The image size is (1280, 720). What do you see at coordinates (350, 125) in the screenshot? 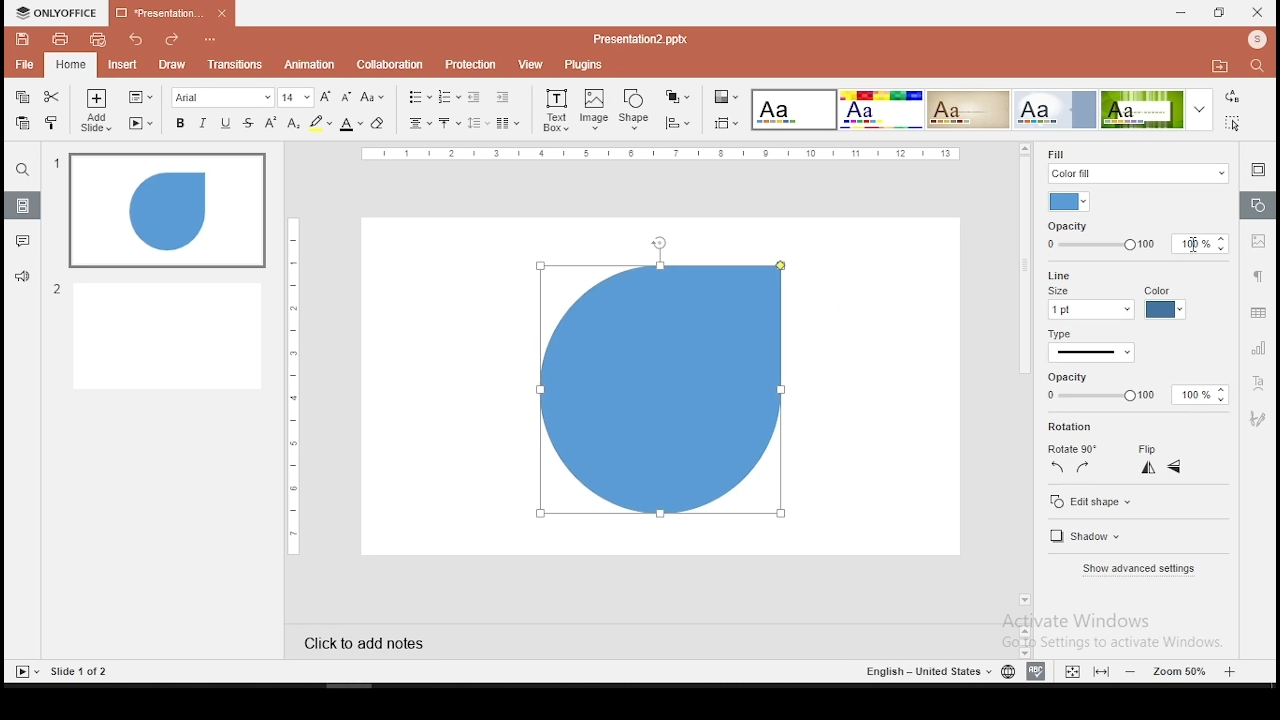
I see `font color` at bounding box center [350, 125].